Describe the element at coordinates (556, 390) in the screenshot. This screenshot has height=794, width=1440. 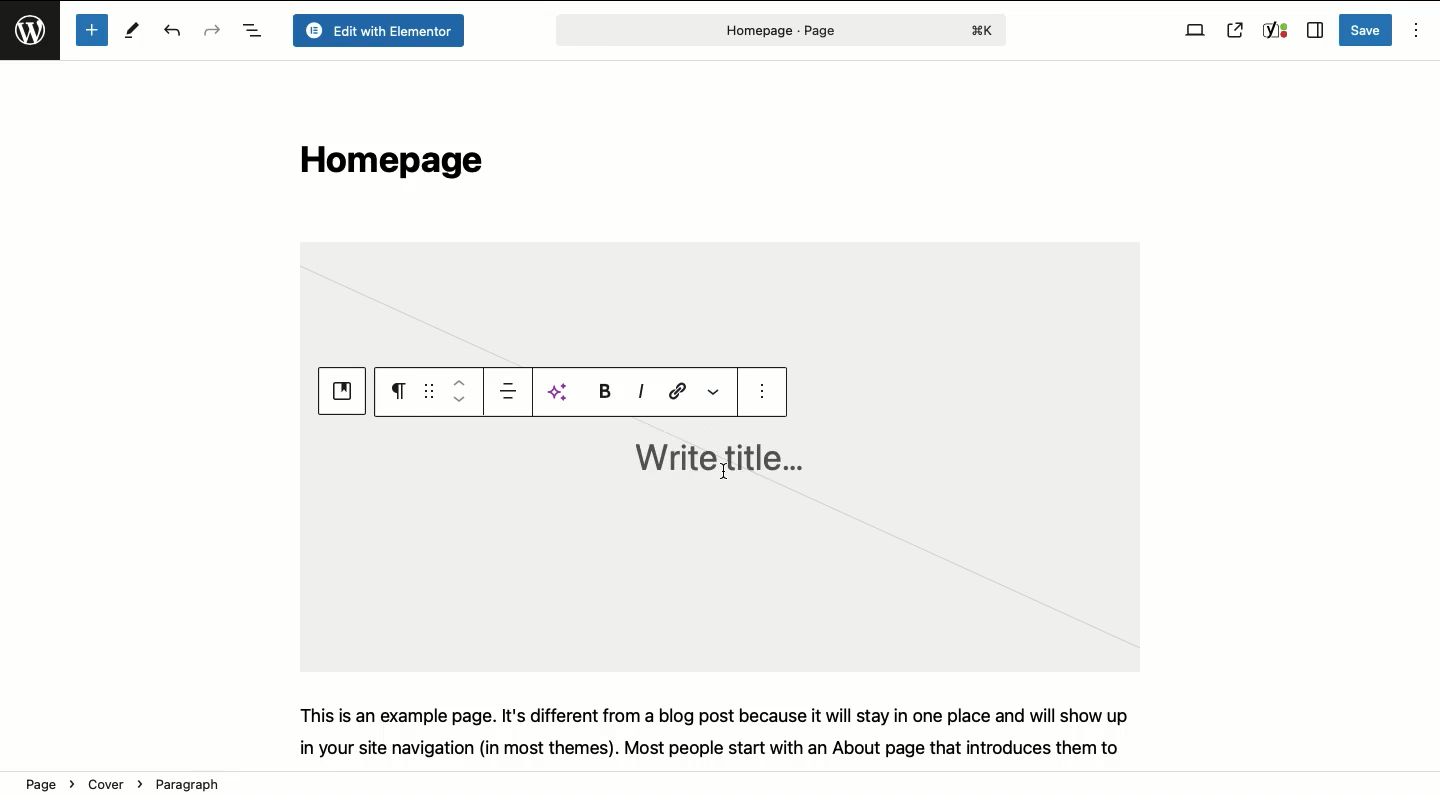
I see `AI` at that location.